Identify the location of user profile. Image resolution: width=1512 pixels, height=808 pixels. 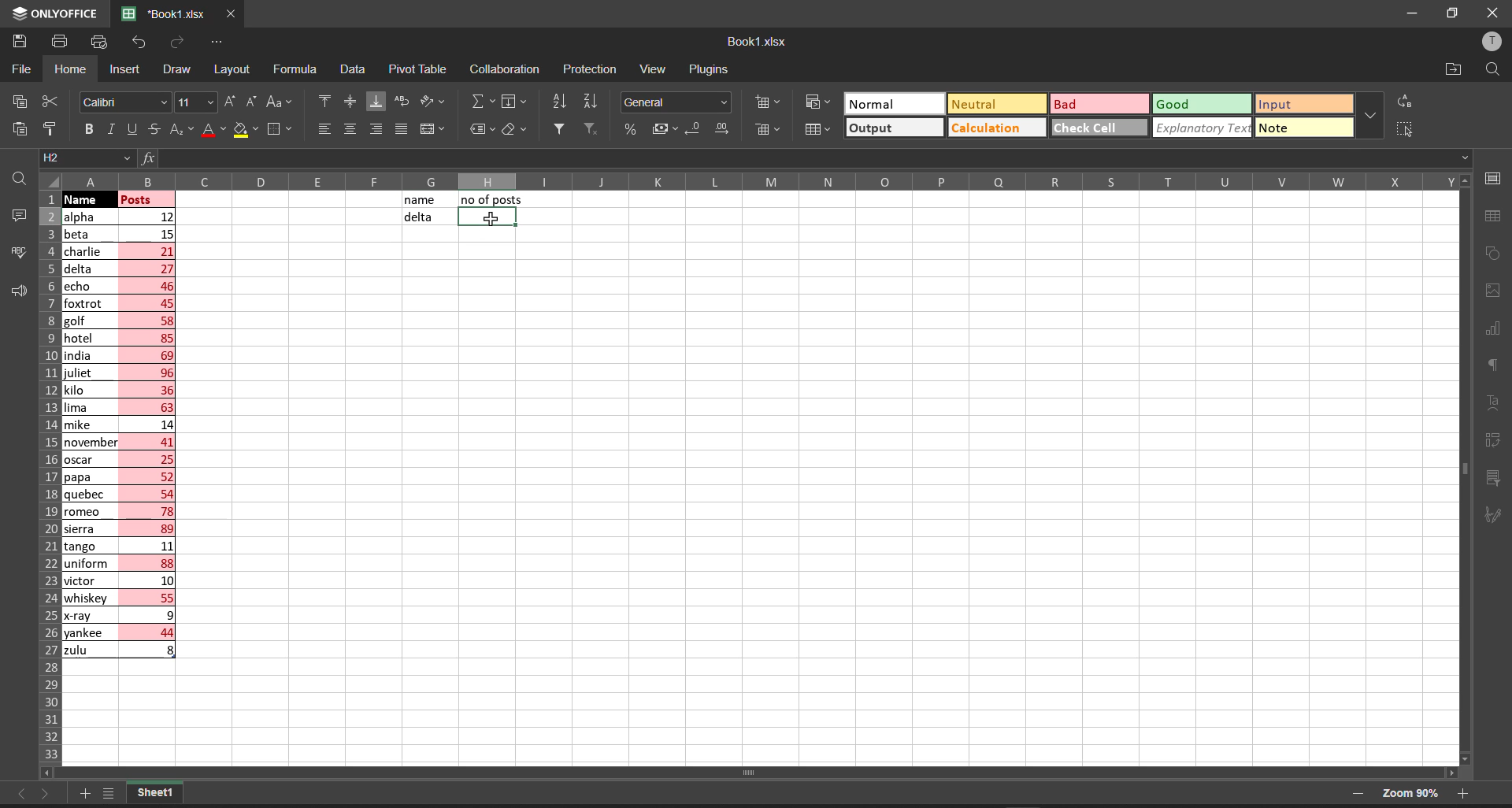
(1494, 41).